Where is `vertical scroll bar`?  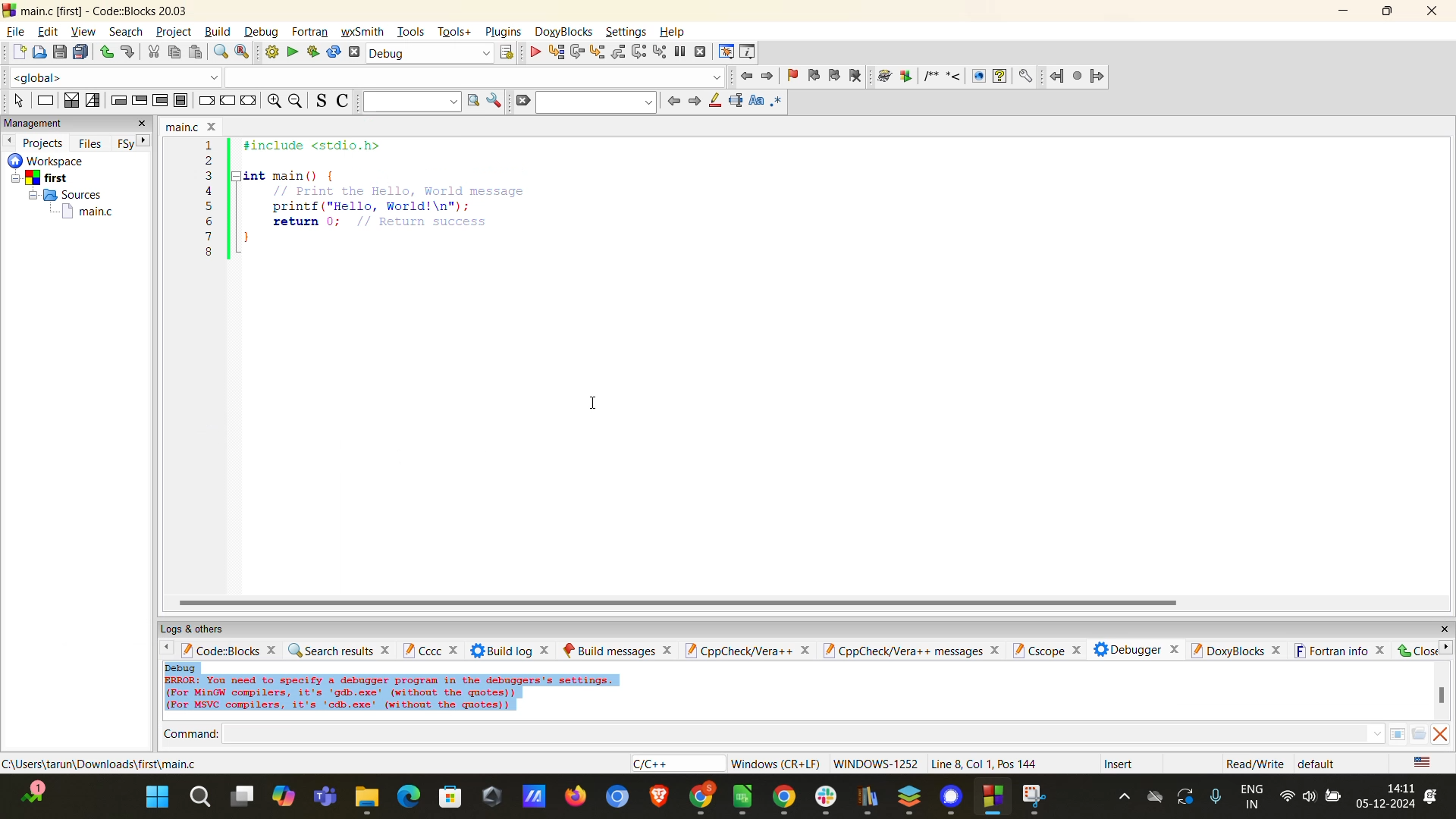 vertical scroll bar is located at coordinates (1442, 741).